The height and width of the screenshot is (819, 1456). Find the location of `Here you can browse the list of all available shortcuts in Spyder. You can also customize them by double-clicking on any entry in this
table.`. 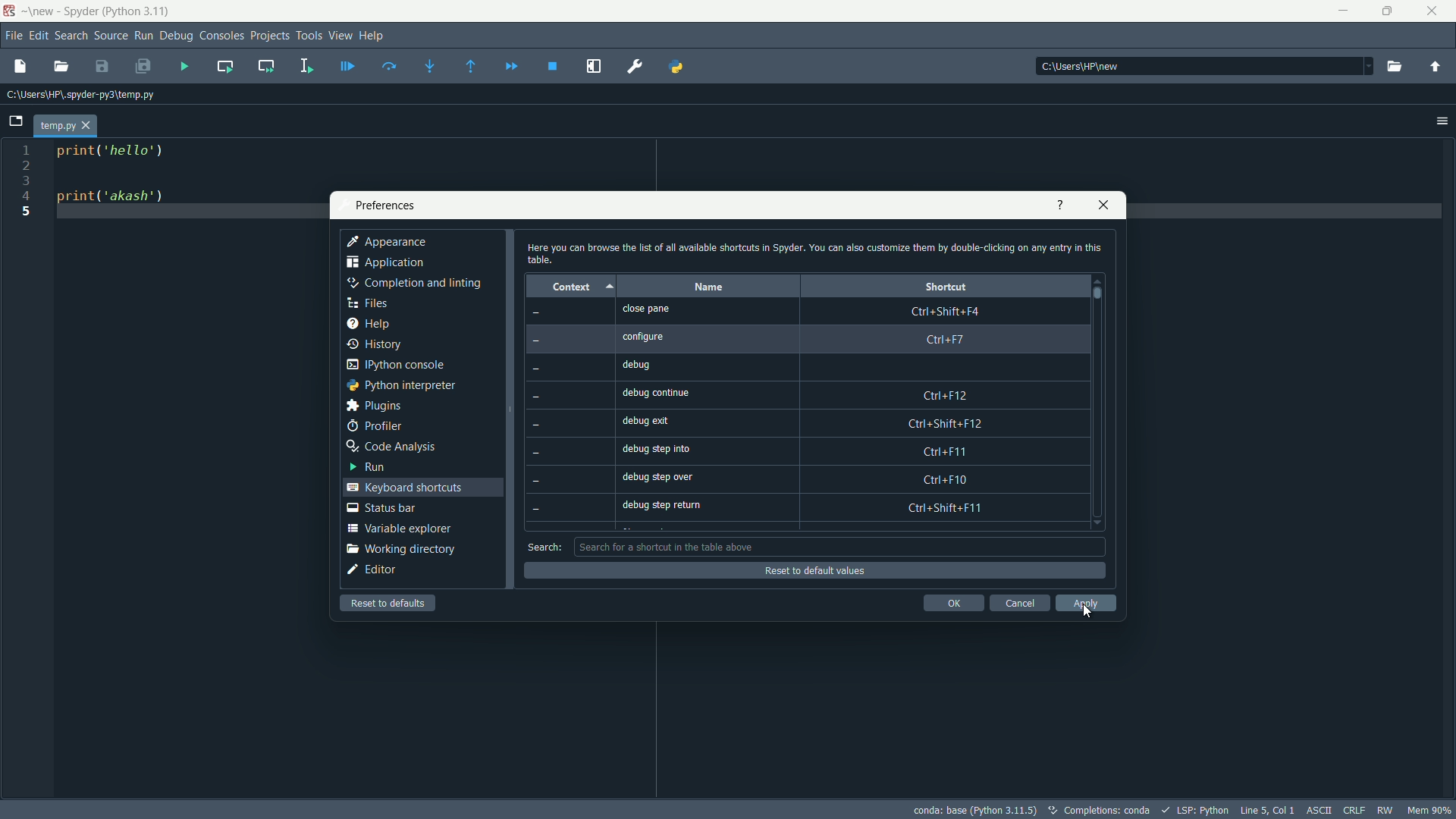

Here you can browse the list of all available shortcuts in Spyder. You can also customize them by double-clicking on any entry in this
table. is located at coordinates (804, 252).